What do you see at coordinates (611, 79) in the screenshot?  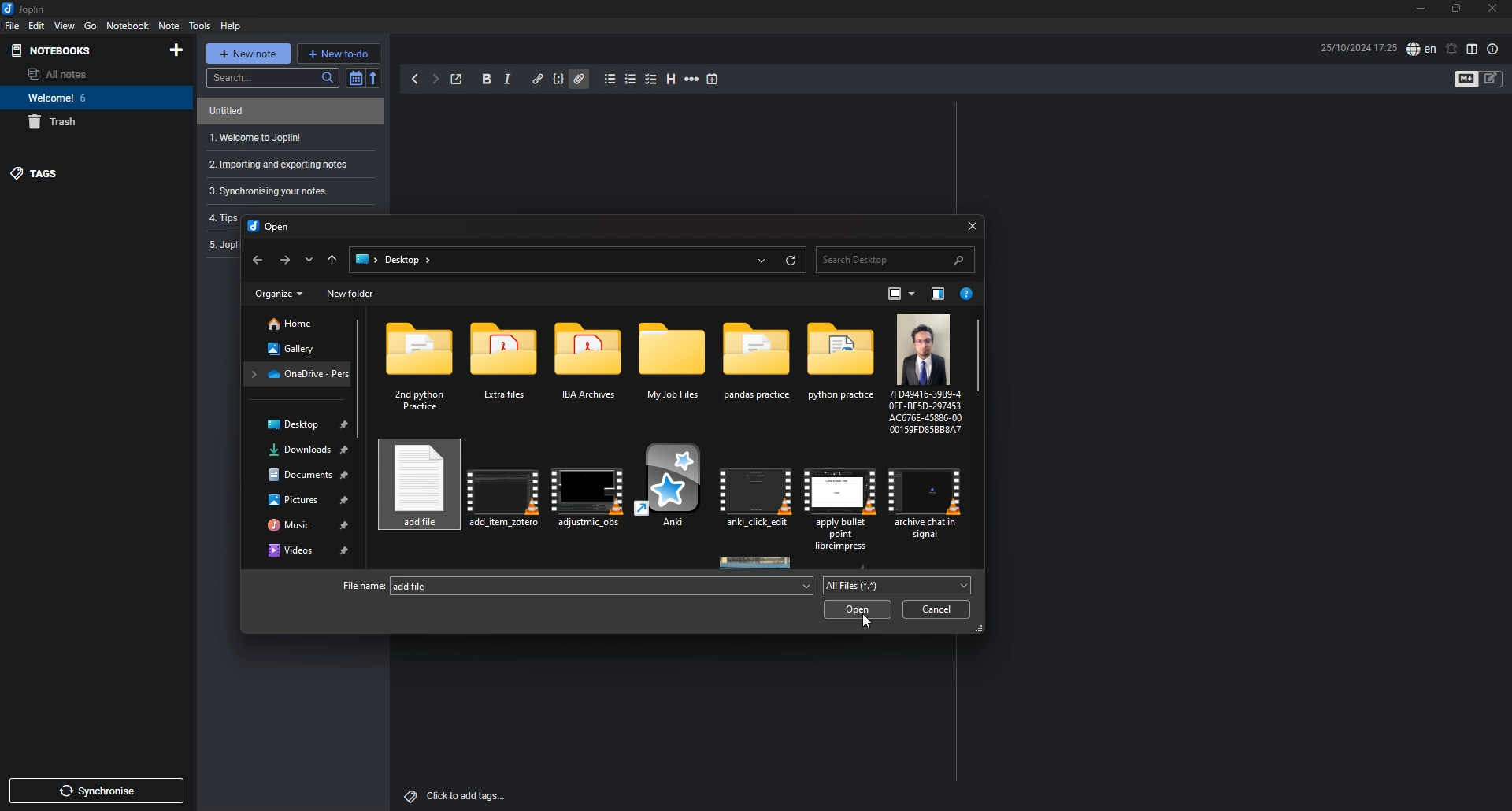 I see `bullet list` at bounding box center [611, 79].